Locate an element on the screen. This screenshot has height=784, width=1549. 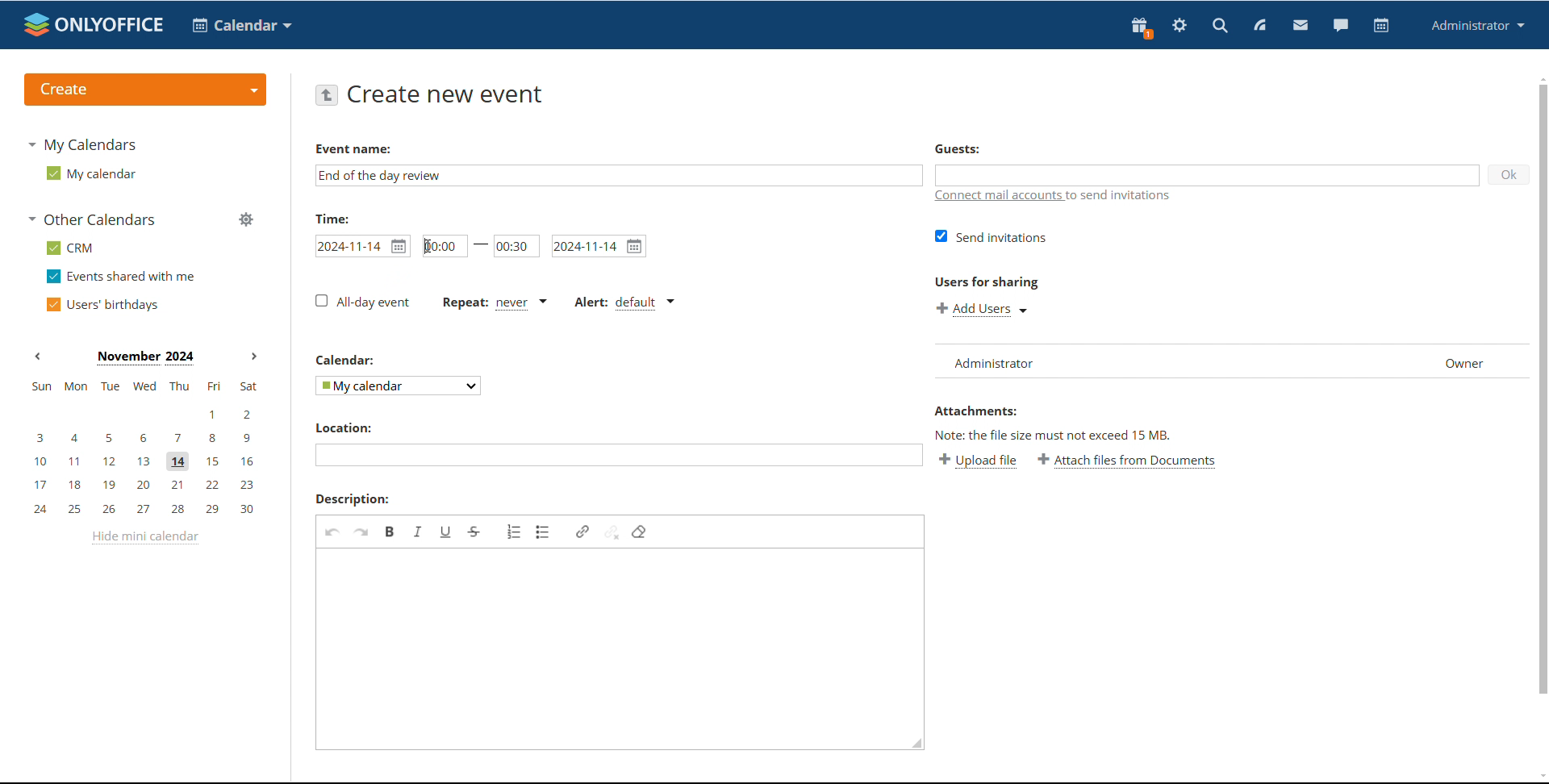
italic is located at coordinates (418, 531).